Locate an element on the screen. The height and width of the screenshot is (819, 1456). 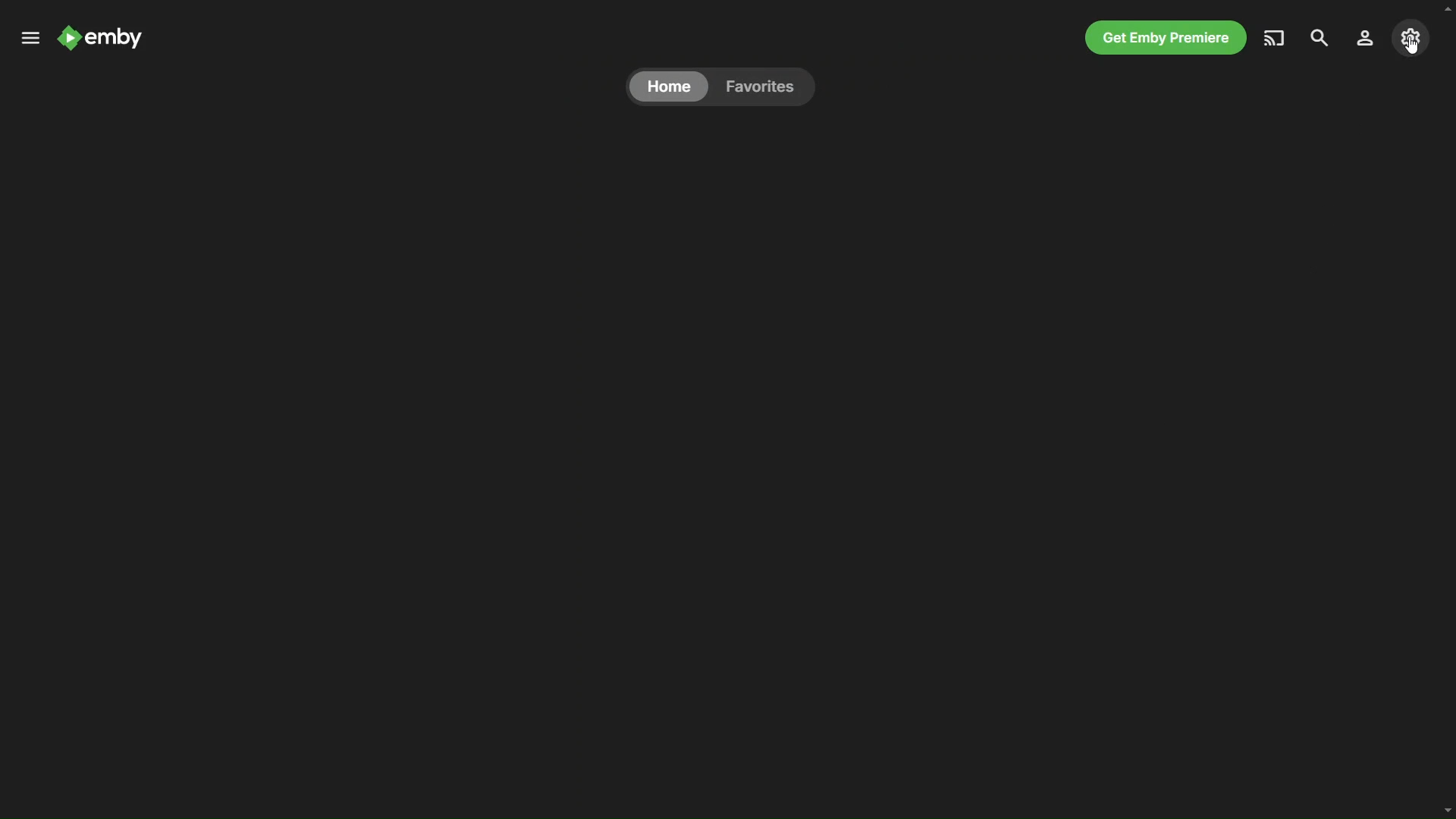
search is located at coordinates (1320, 37).